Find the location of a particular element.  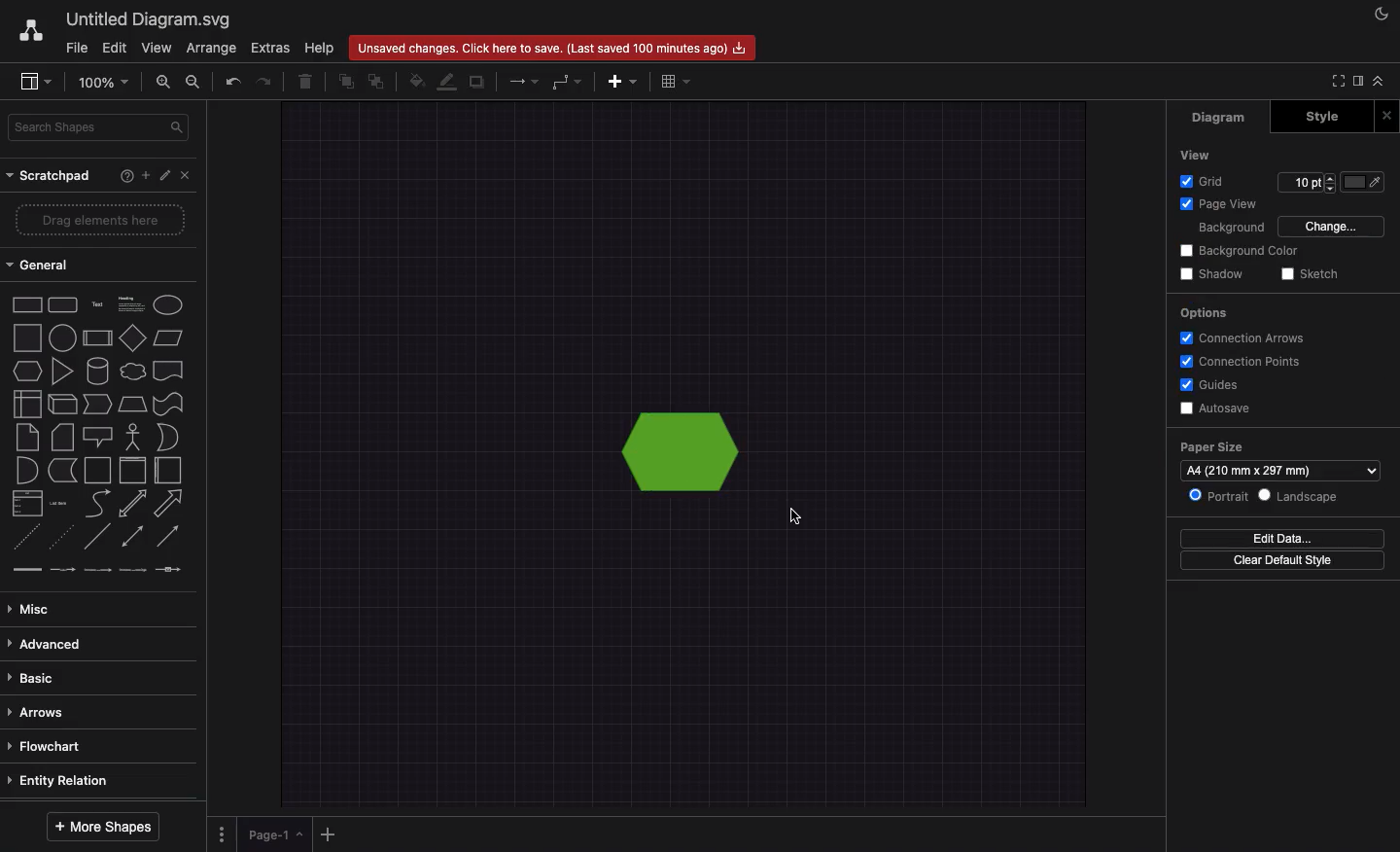

File is located at coordinates (77, 50).